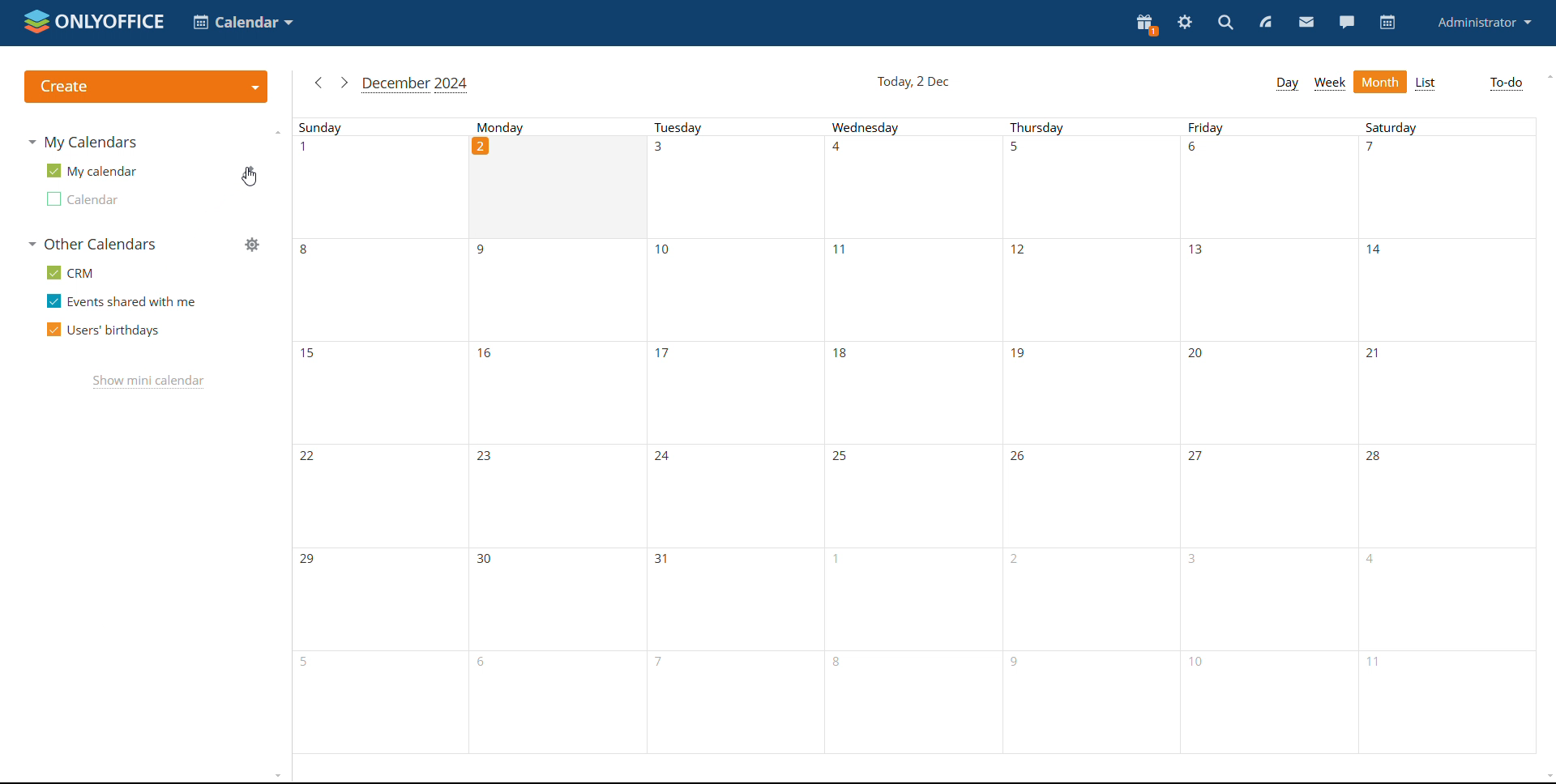 The image size is (1556, 784). I want to click on other calendars, so click(92, 243).